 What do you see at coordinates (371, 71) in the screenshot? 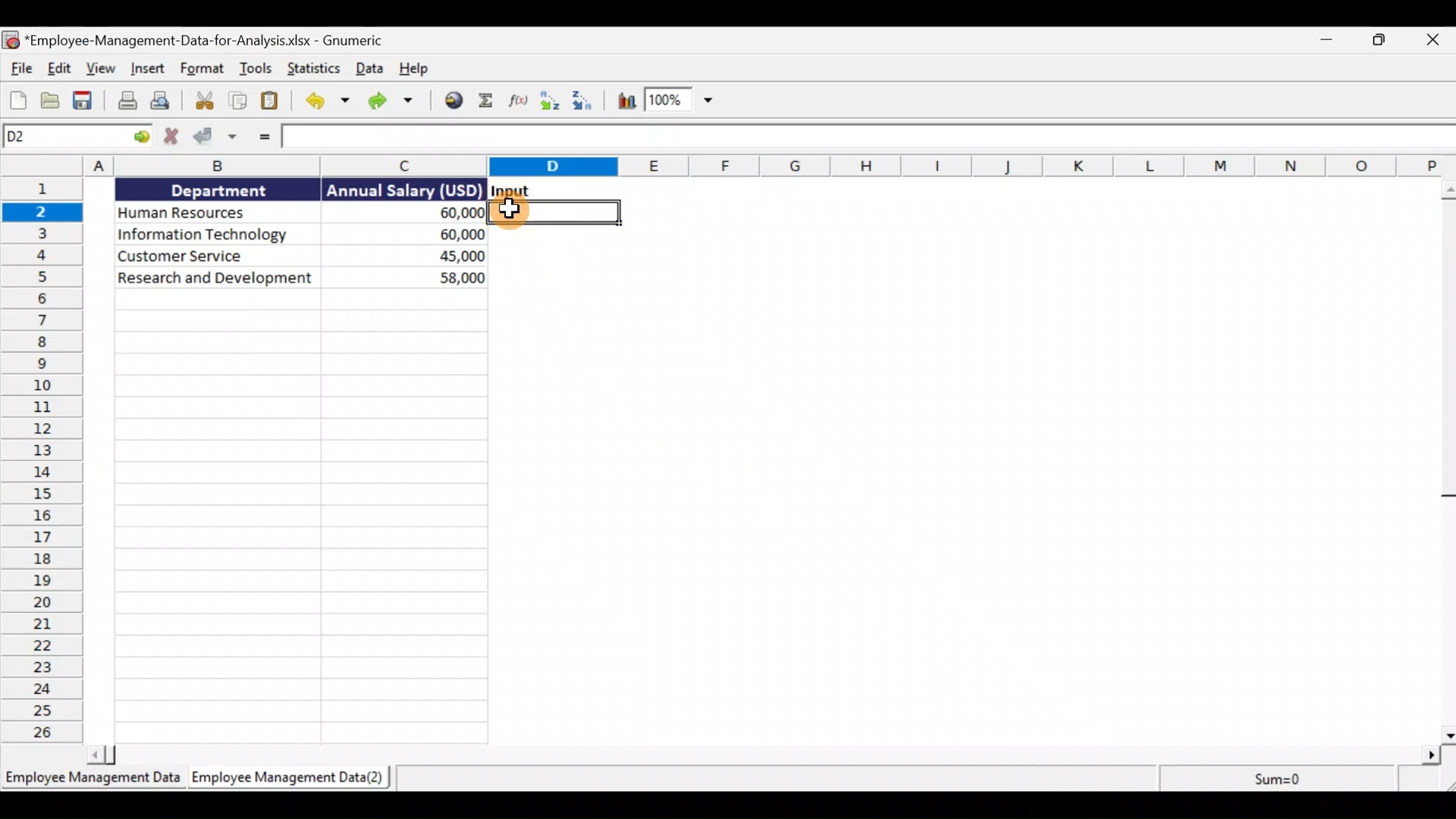
I see `Data` at bounding box center [371, 71].